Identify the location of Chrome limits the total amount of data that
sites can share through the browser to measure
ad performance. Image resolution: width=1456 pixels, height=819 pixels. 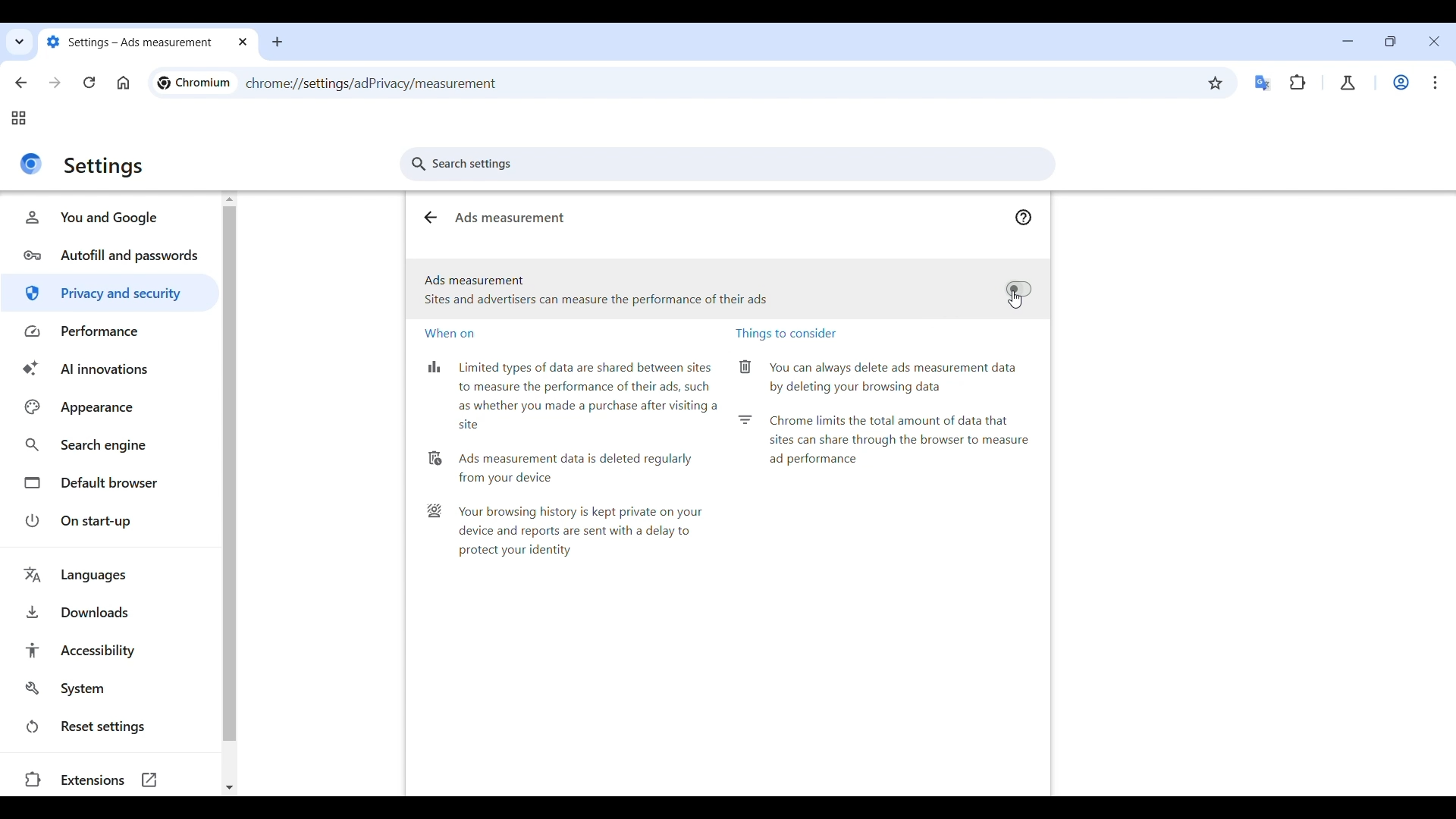
(886, 444).